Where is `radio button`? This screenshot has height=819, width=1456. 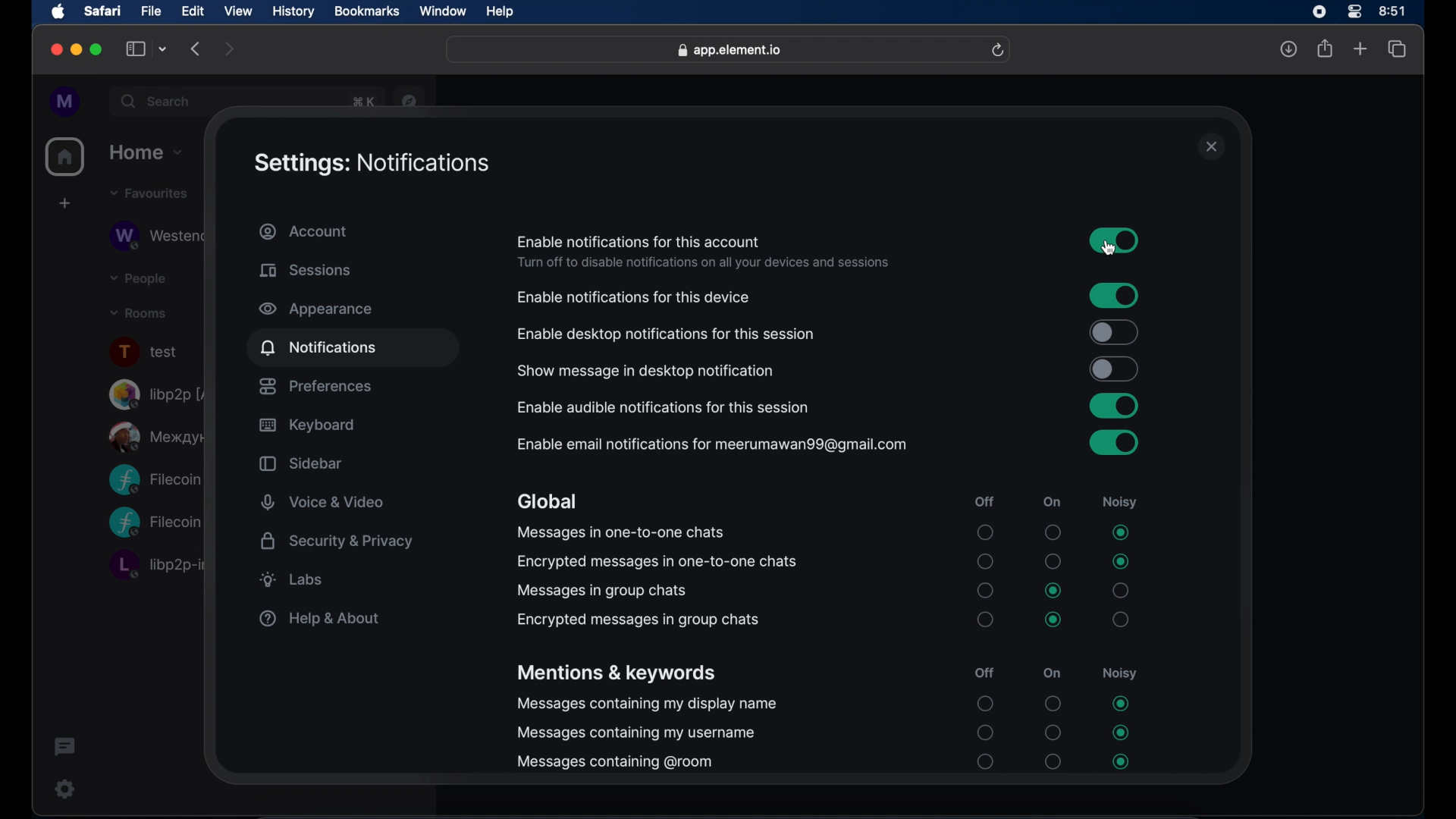 radio button is located at coordinates (1121, 761).